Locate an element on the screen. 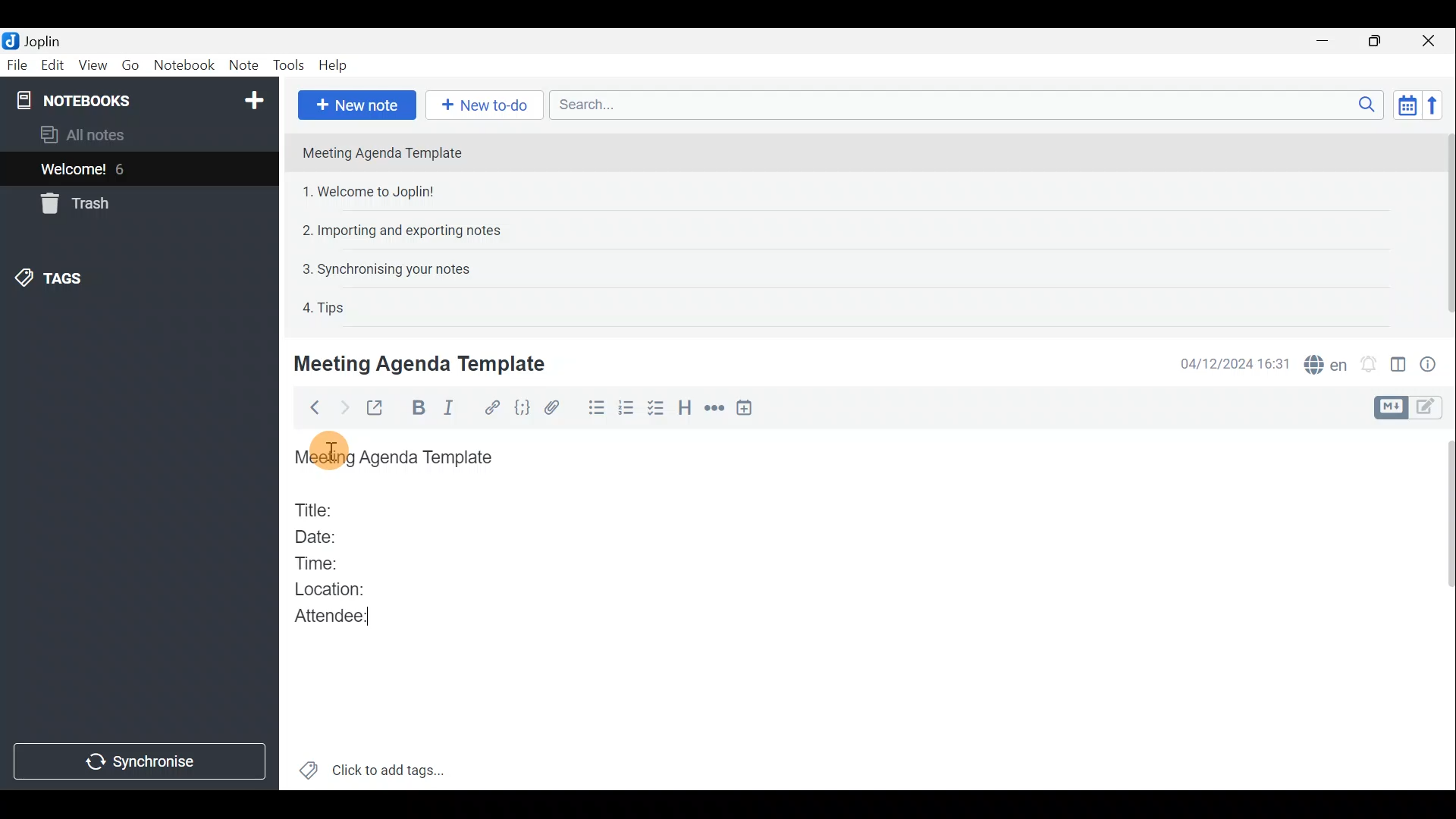 The height and width of the screenshot is (819, 1456). Tools is located at coordinates (286, 63).